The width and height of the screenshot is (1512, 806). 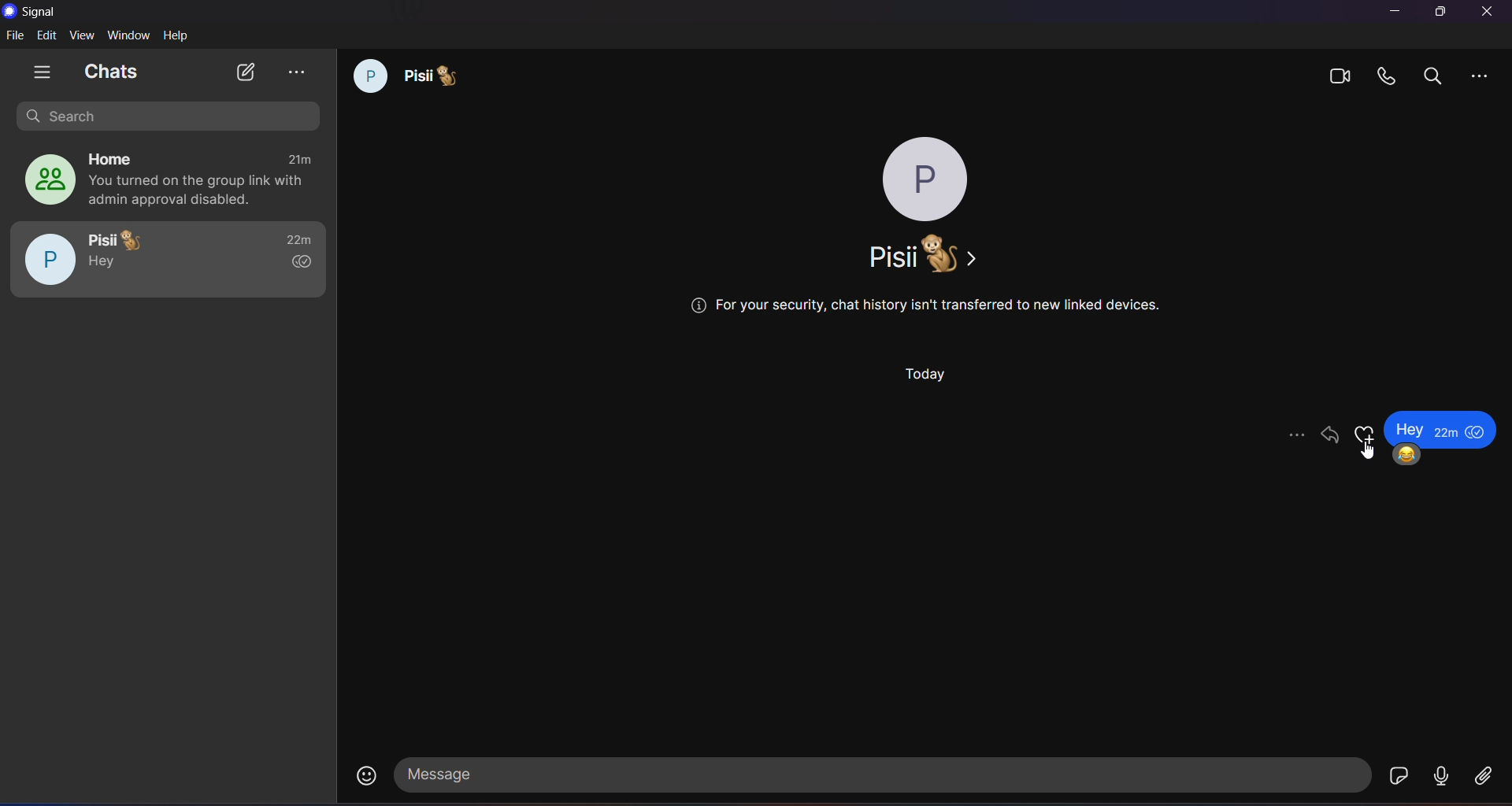 What do you see at coordinates (1328, 435) in the screenshot?
I see `tag` at bounding box center [1328, 435].